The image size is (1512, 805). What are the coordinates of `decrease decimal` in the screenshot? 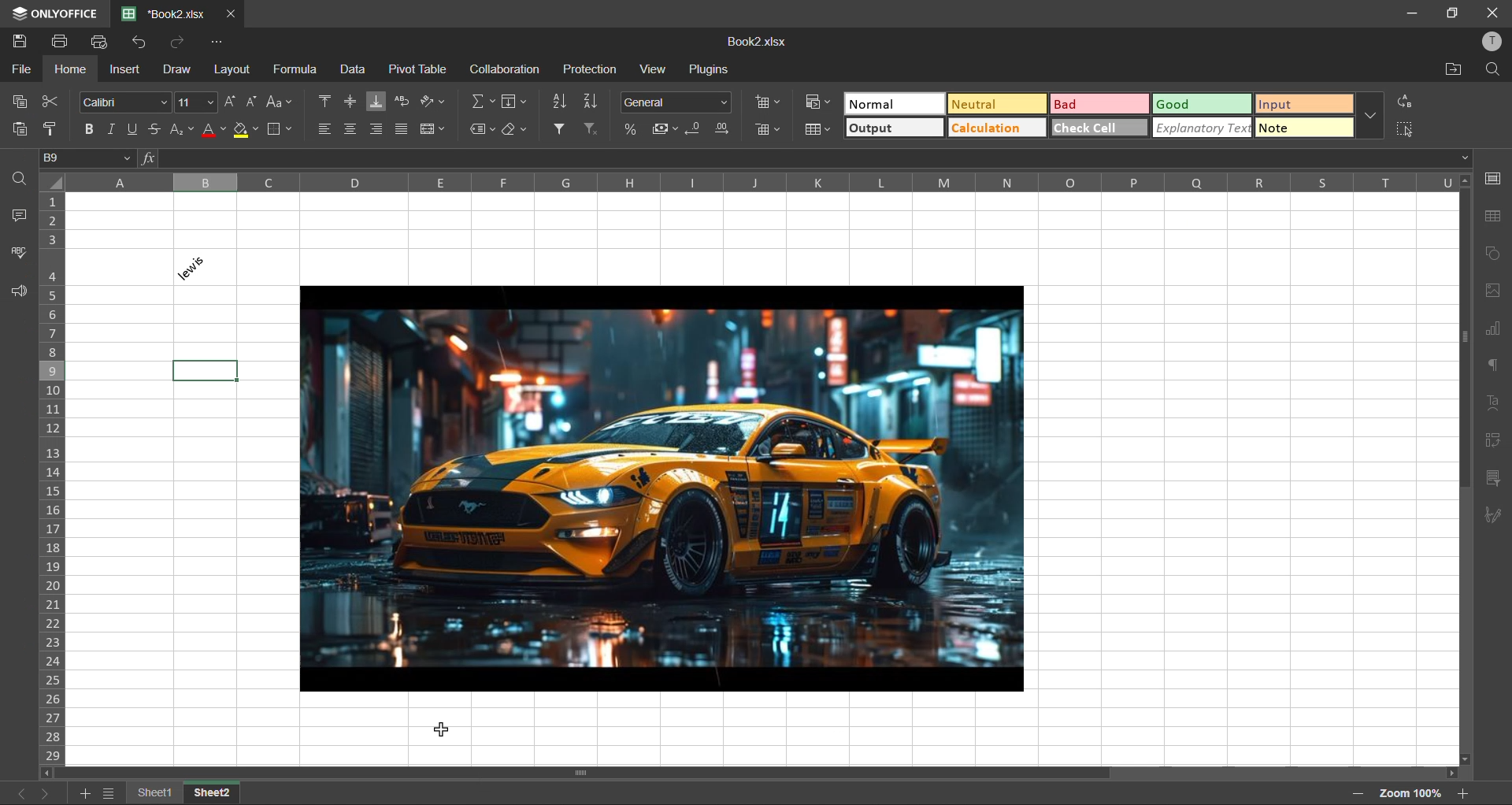 It's located at (696, 129).